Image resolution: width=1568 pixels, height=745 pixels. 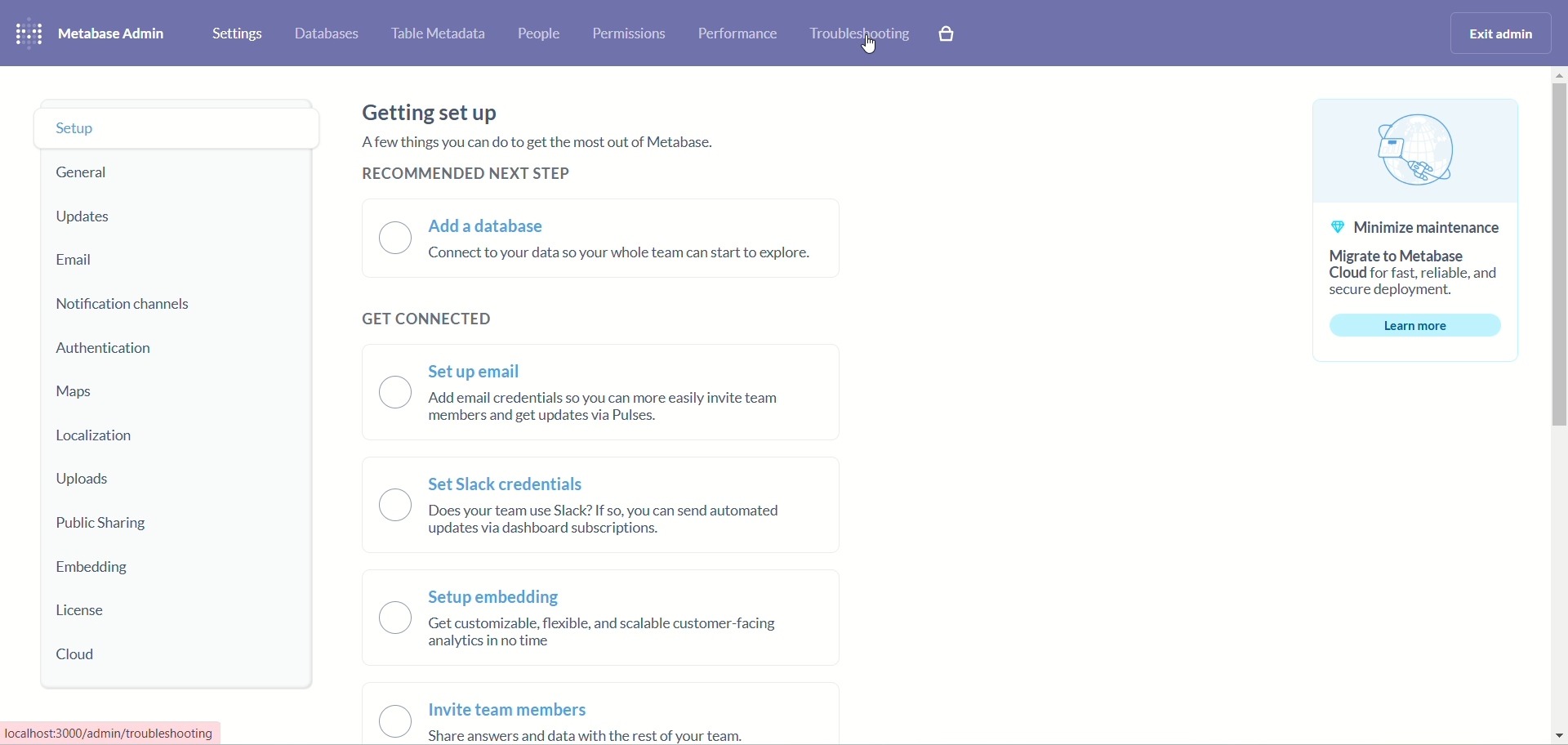 I want to click on maps, so click(x=75, y=395).